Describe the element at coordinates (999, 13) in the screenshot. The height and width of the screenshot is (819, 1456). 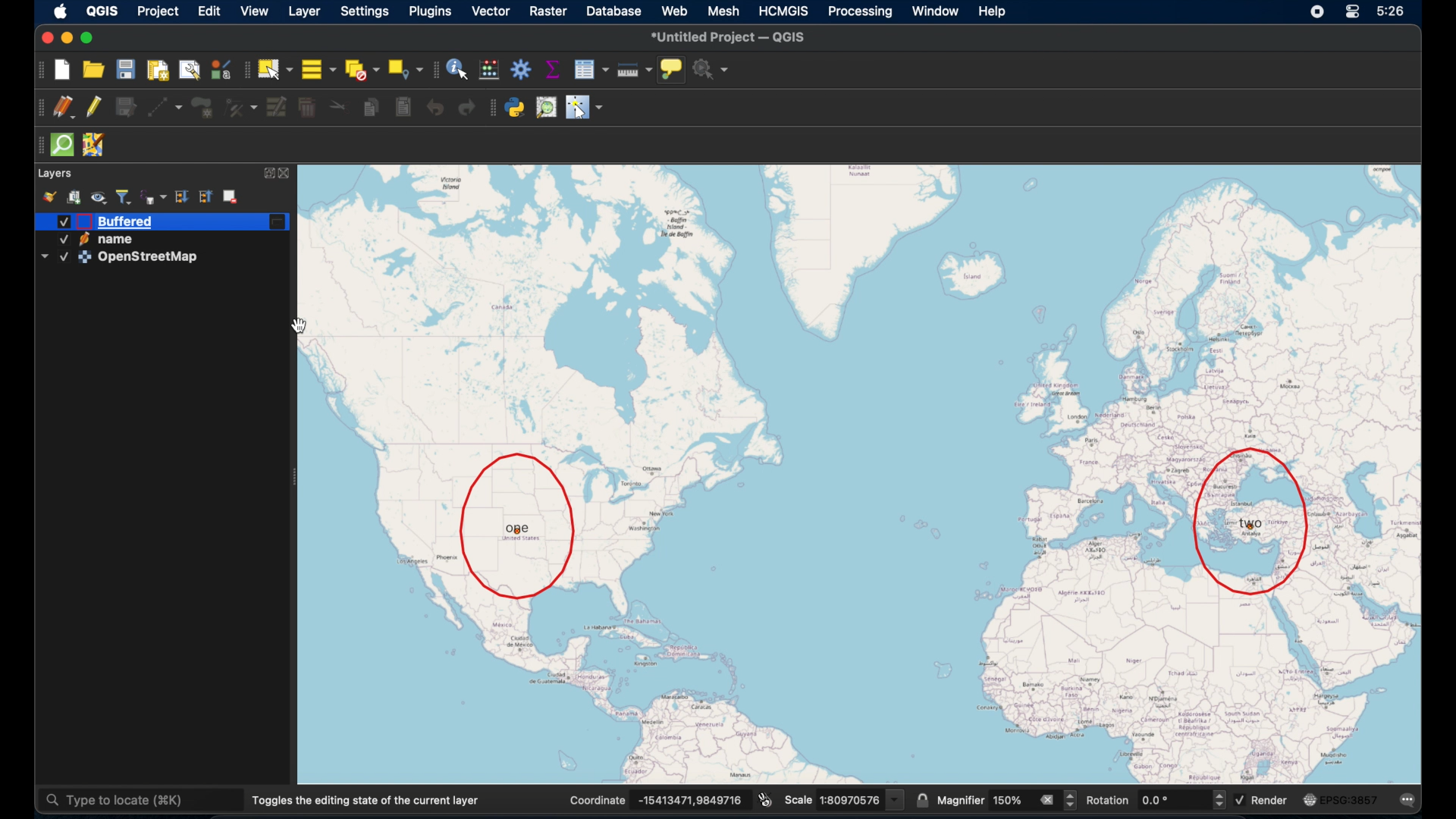
I see `help` at that location.